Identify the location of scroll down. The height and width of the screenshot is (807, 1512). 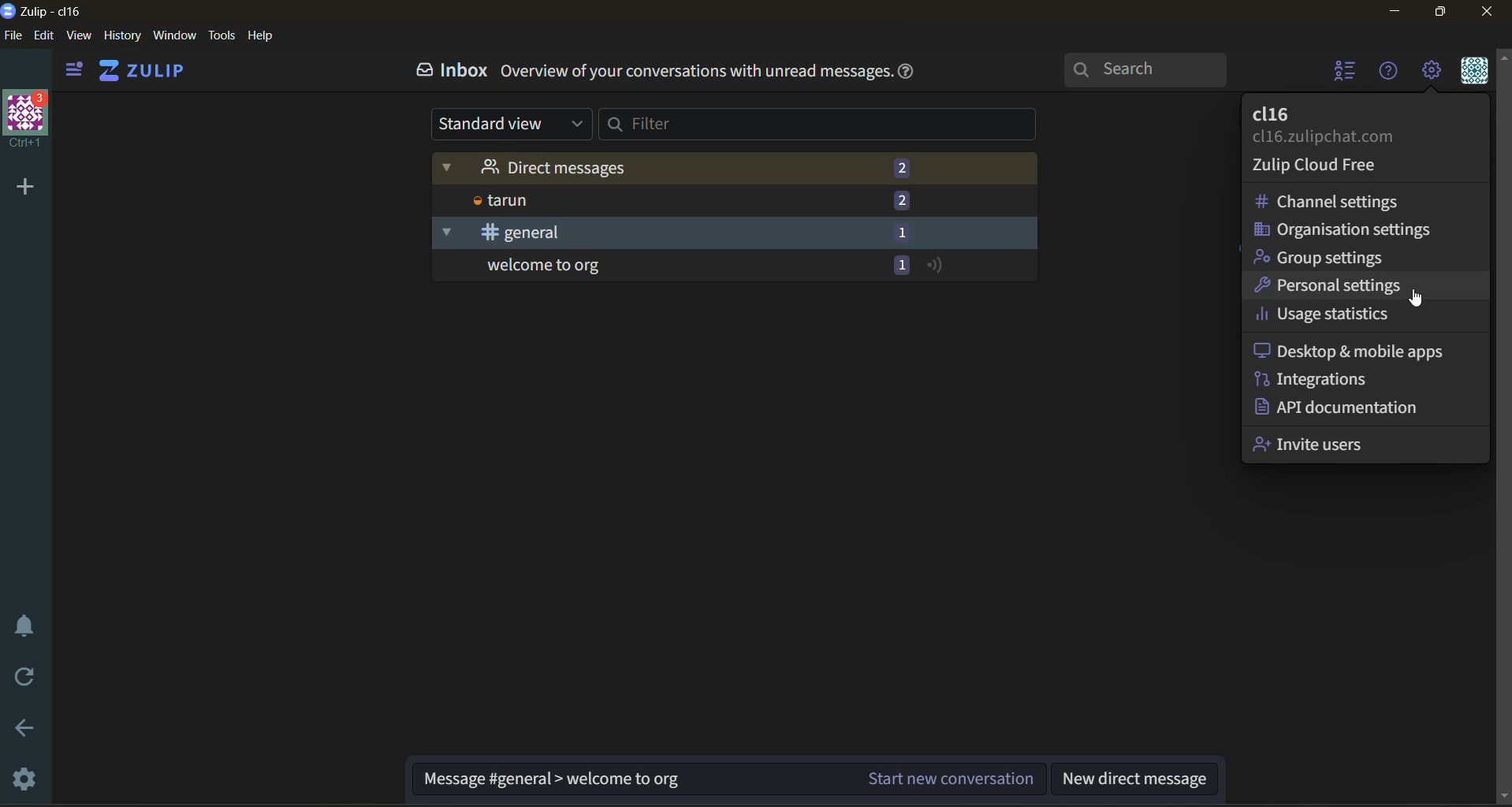
(1503, 798).